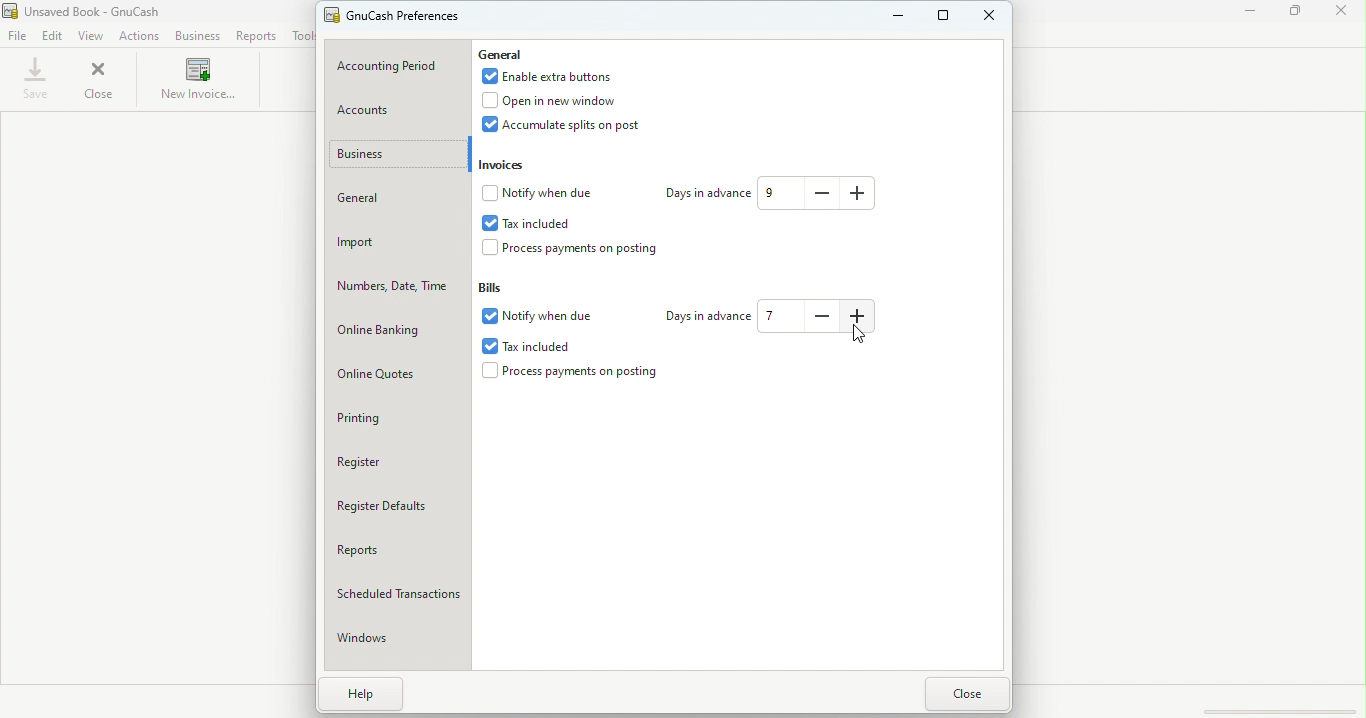 Image resolution: width=1366 pixels, height=718 pixels. I want to click on cursor, so click(859, 332).